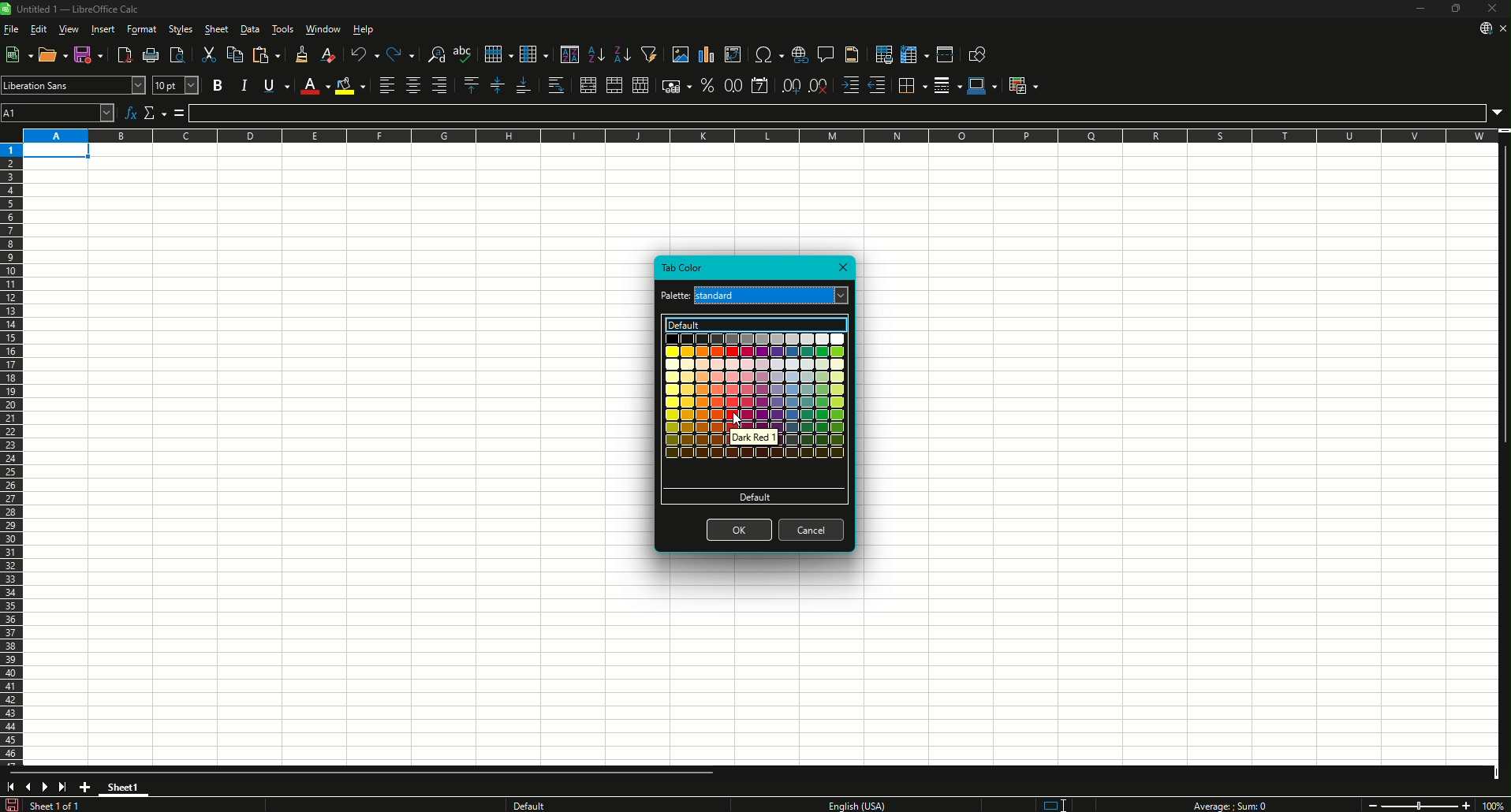  I want to click on Headers and Footers, so click(853, 54).